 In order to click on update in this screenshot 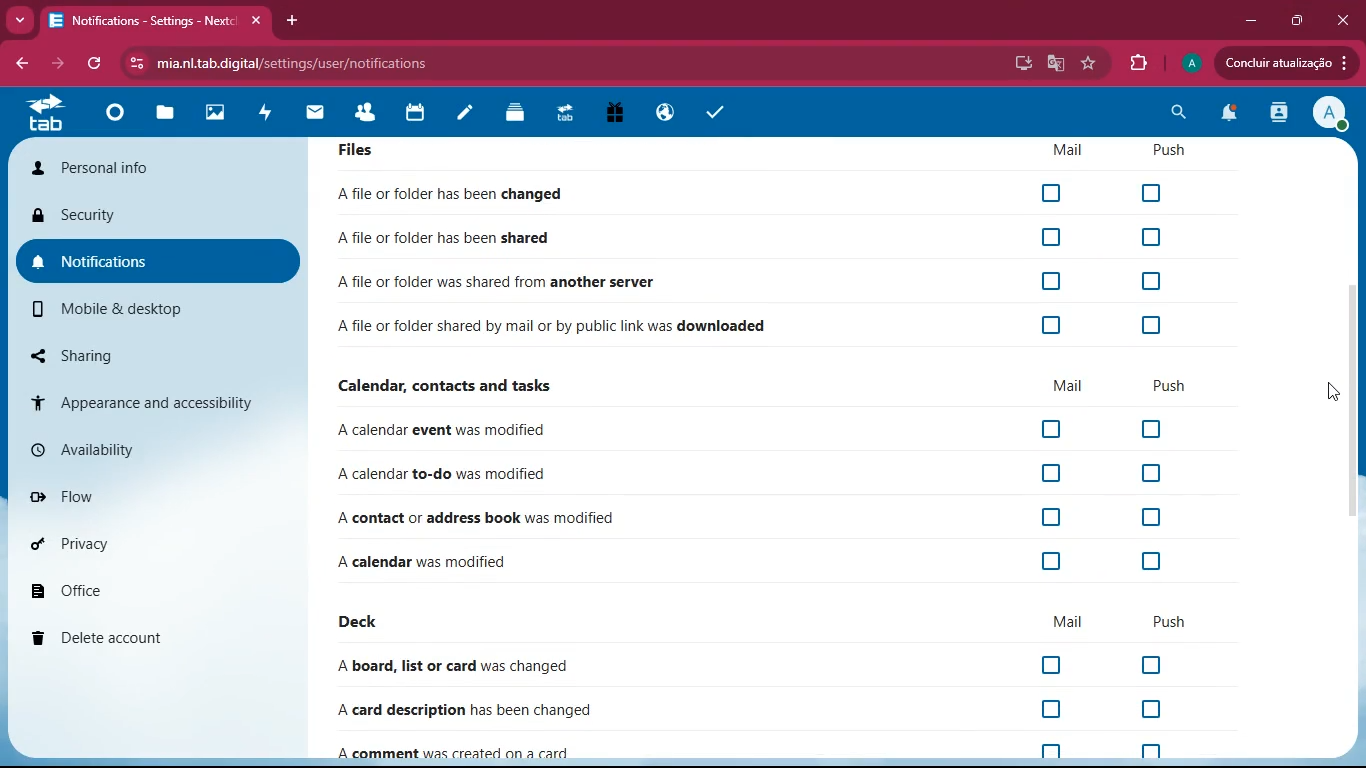, I will do `click(1284, 63)`.